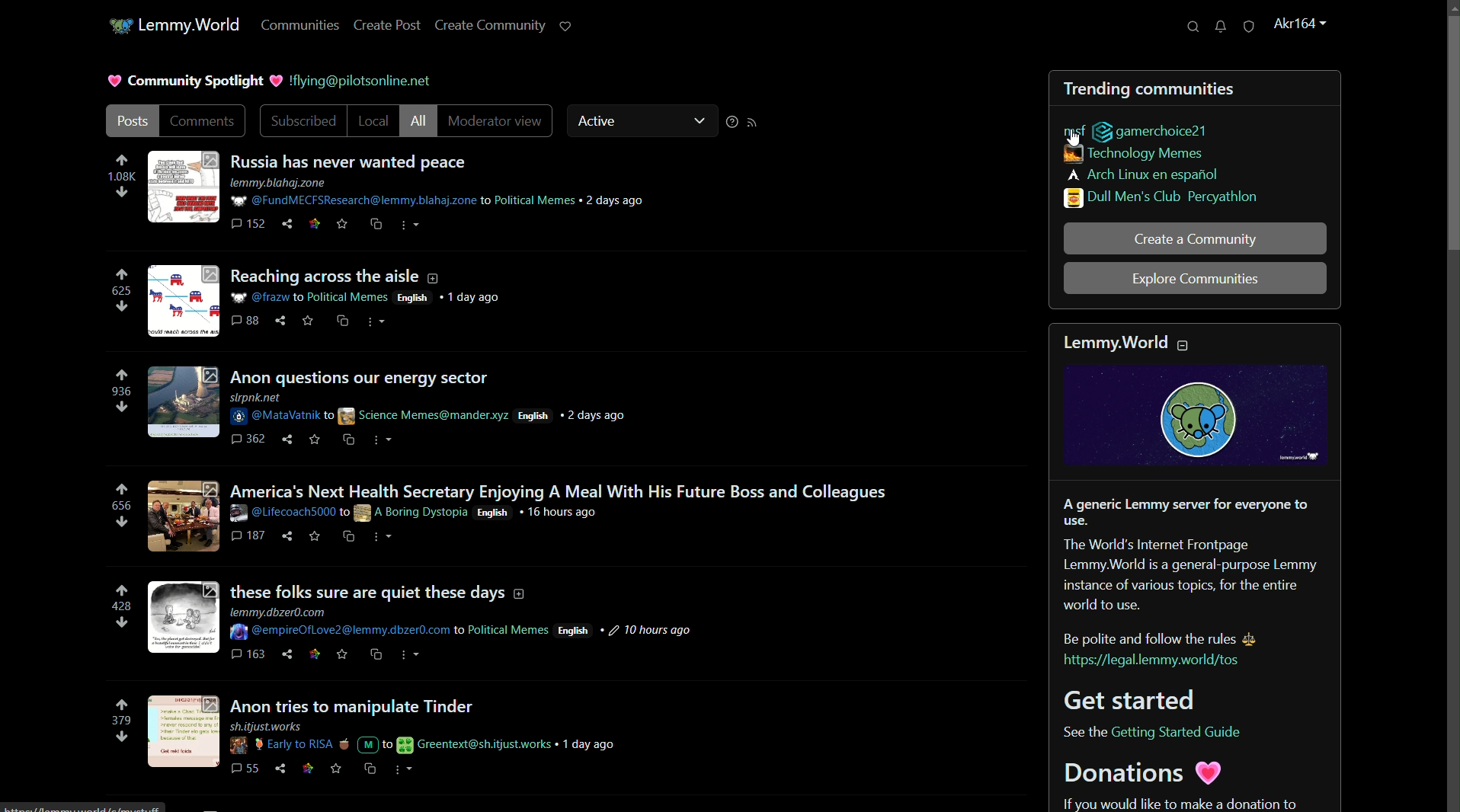  I want to click on lemmy world, so click(1122, 336).